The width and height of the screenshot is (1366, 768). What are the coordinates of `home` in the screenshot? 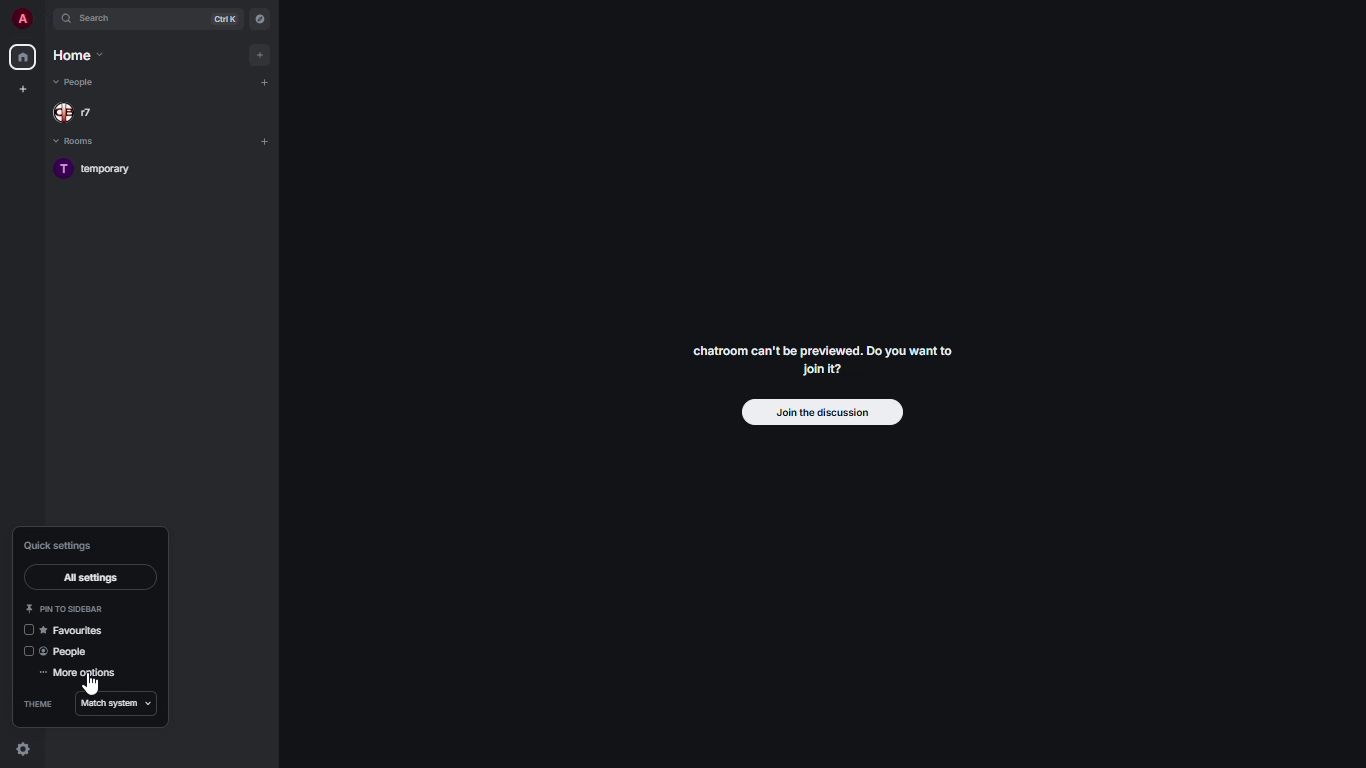 It's located at (24, 57).